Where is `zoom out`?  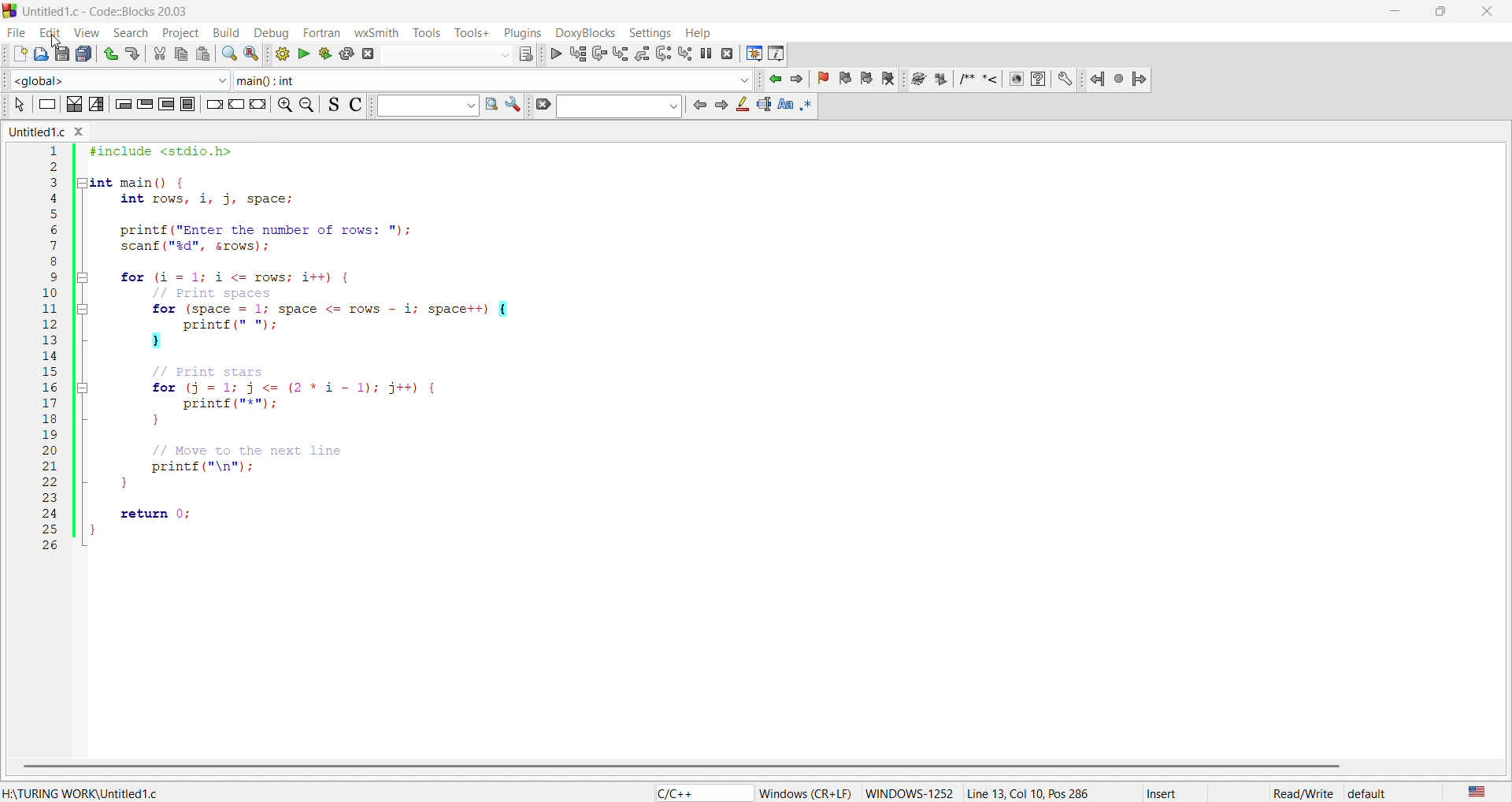 zoom out is located at coordinates (306, 105).